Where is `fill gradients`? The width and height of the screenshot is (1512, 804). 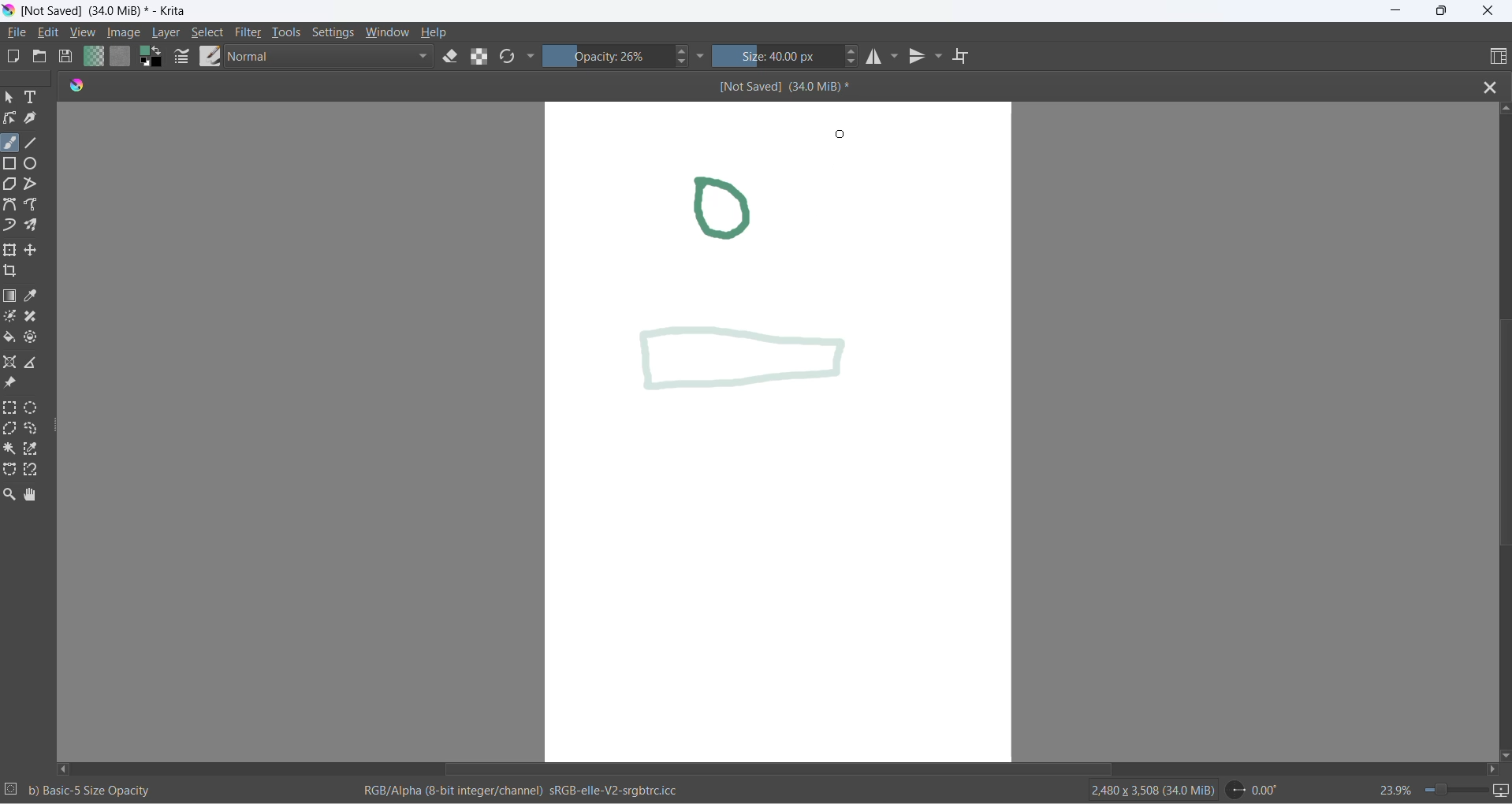 fill gradients is located at coordinates (93, 57).